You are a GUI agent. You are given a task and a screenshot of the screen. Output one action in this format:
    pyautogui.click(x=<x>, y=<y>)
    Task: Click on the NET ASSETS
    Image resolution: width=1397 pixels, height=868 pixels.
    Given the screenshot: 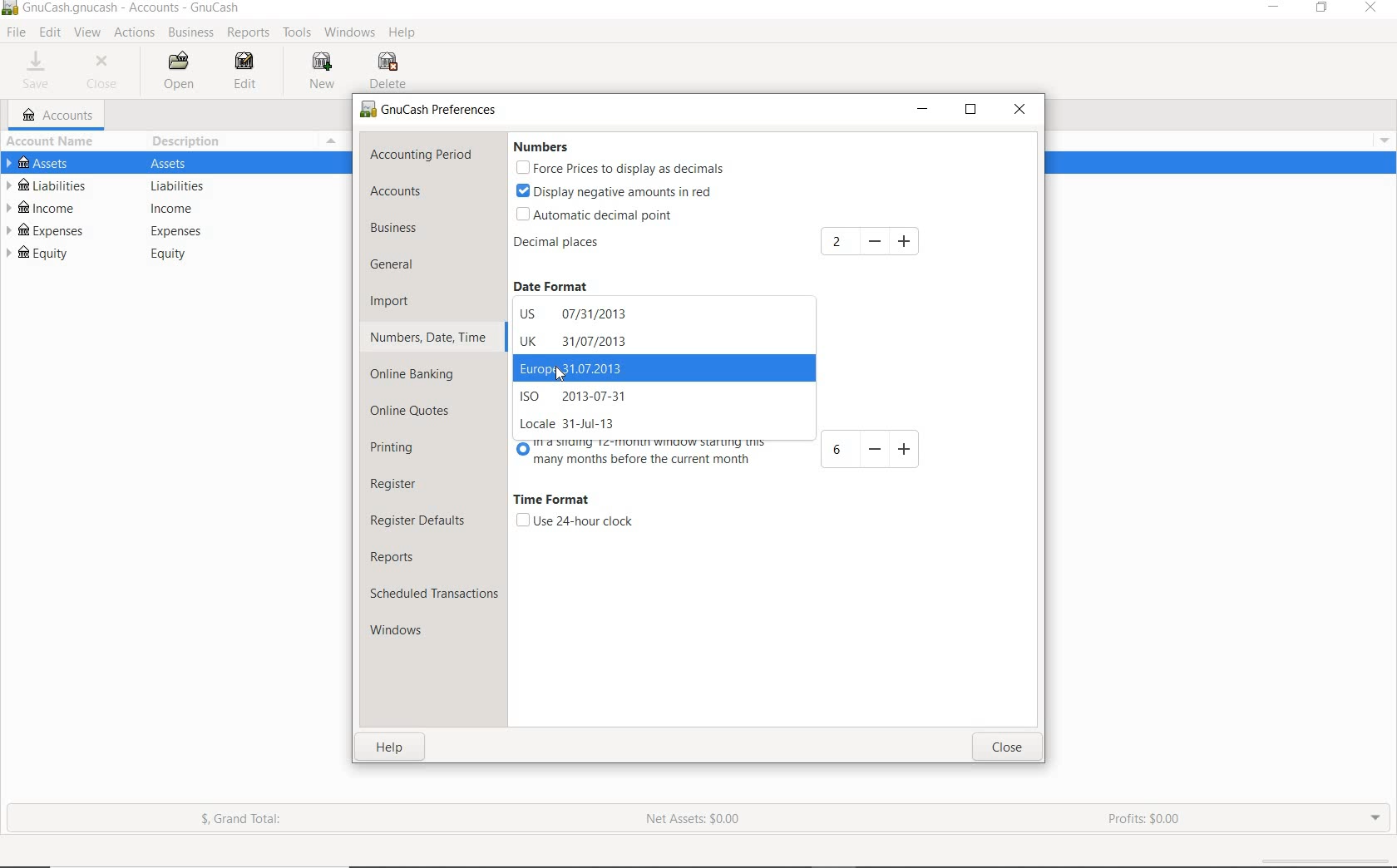 What is the action you would take?
    pyautogui.click(x=693, y=824)
    